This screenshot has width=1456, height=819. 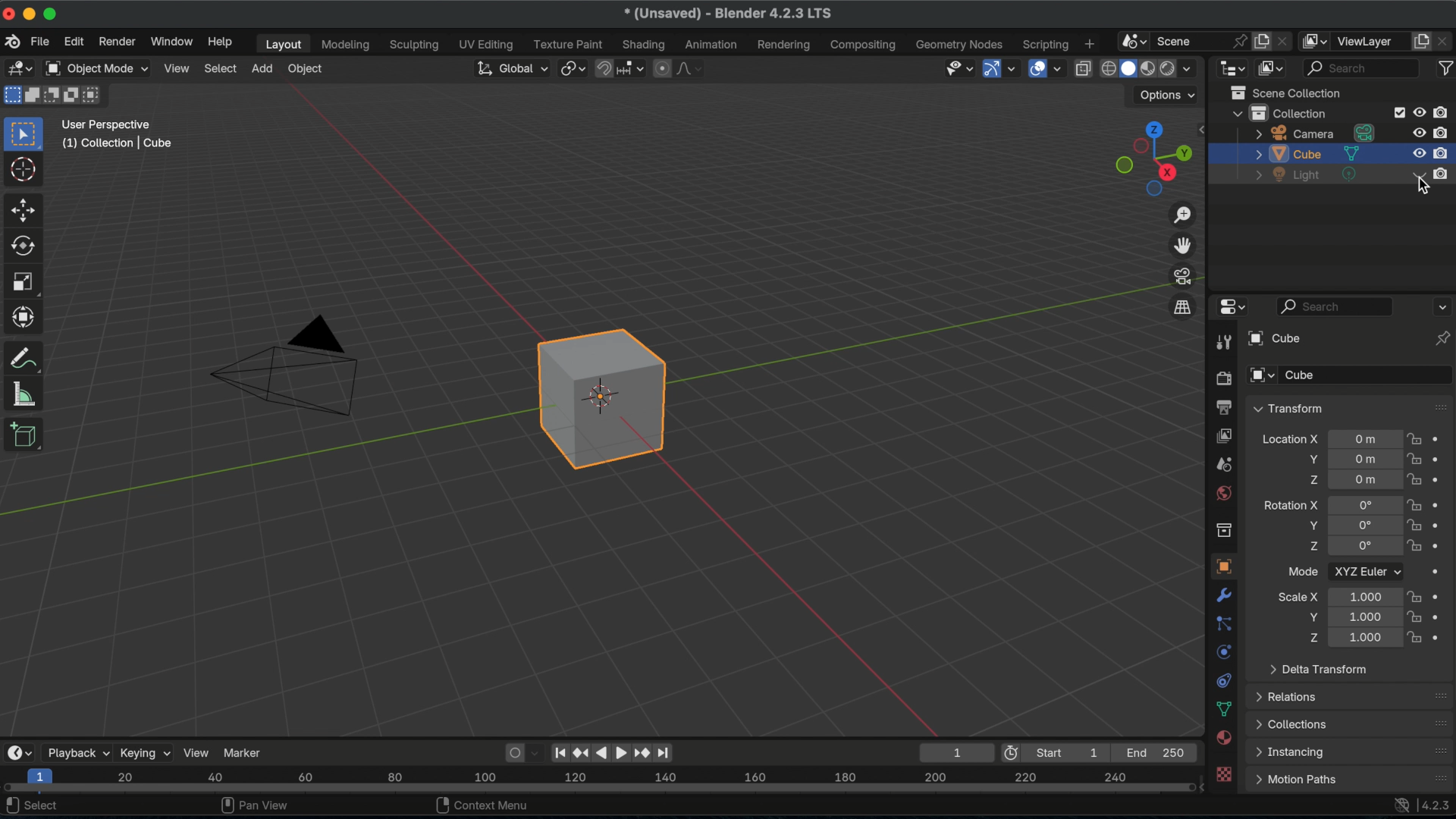 What do you see at coordinates (1416, 638) in the screenshot?
I see `lock scale` at bounding box center [1416, 638].